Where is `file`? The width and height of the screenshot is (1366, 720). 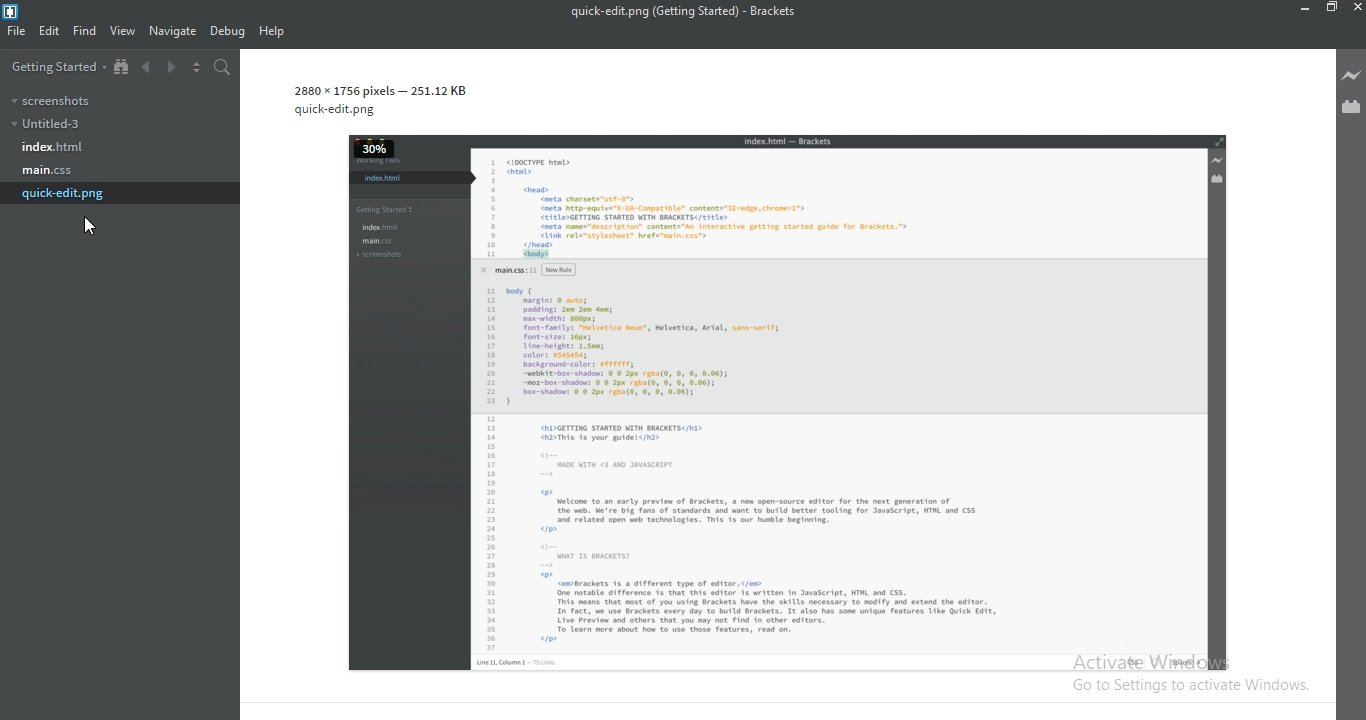 file is located at coordinates (18, 33).